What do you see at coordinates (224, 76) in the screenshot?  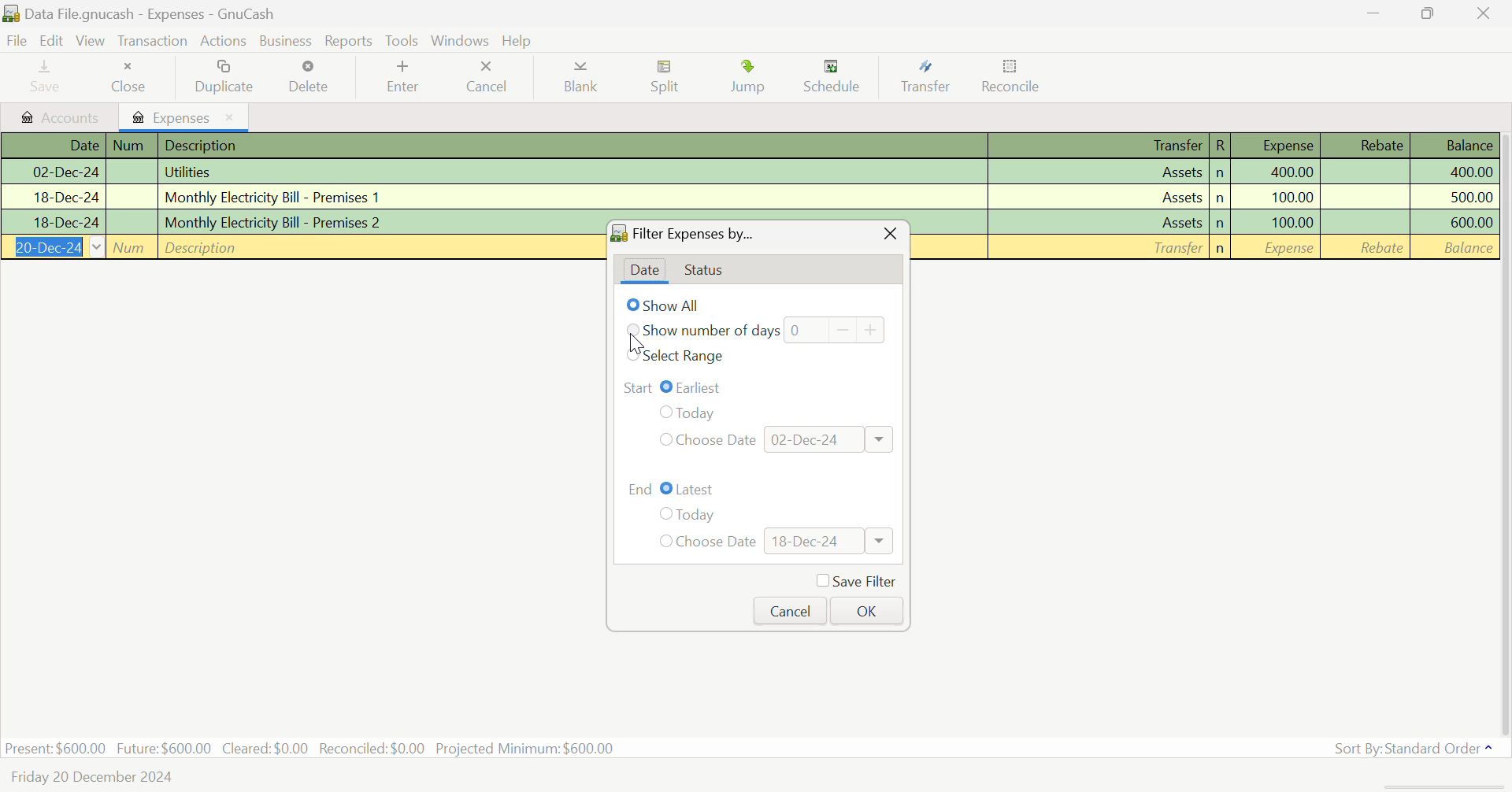 I see `Duplicate` at bounding box center [224, 76].